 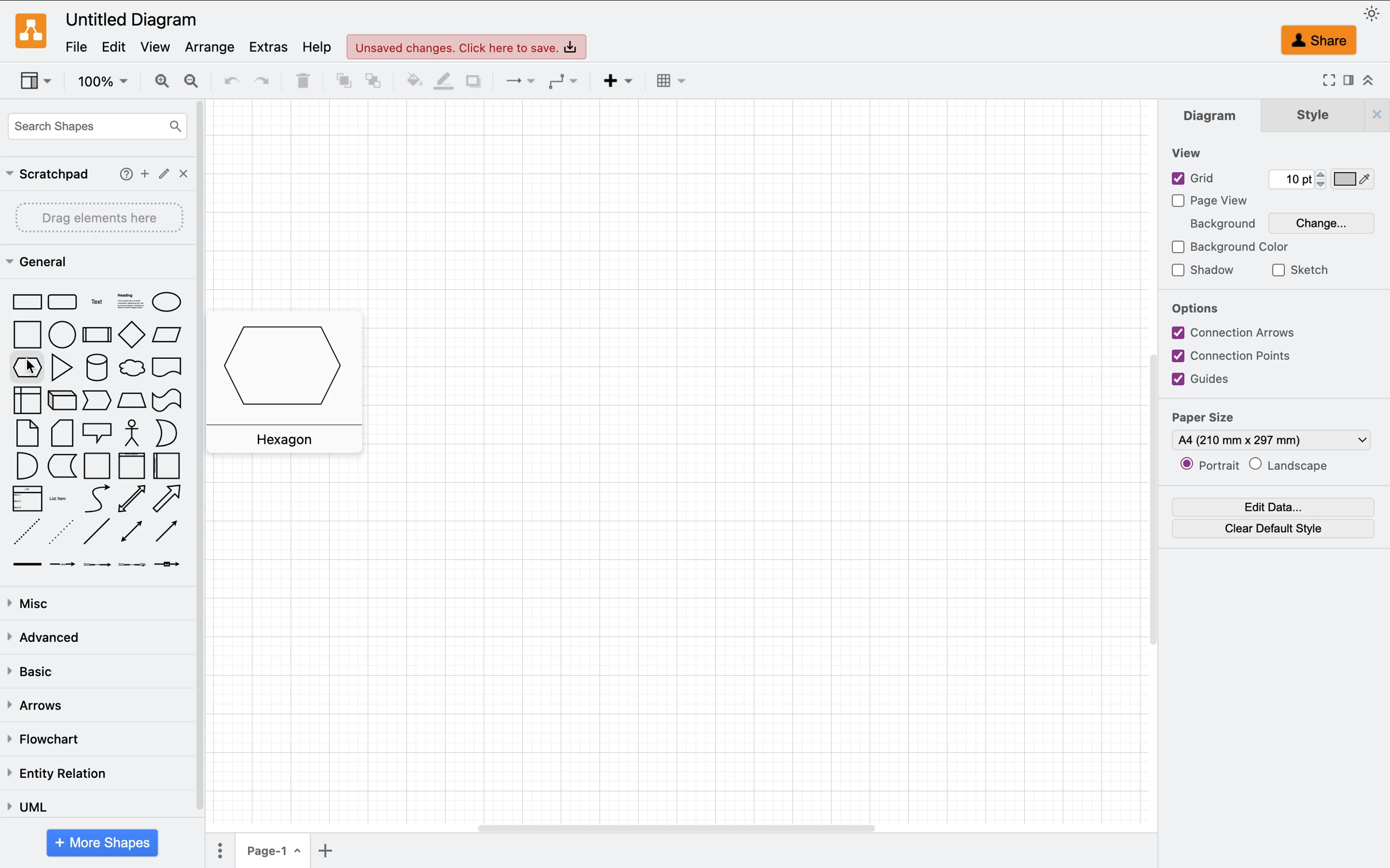 What do you see at coordinates (468, 47) in the screenshot?
I see `unsaved changed` at bounding box center [468, 47].